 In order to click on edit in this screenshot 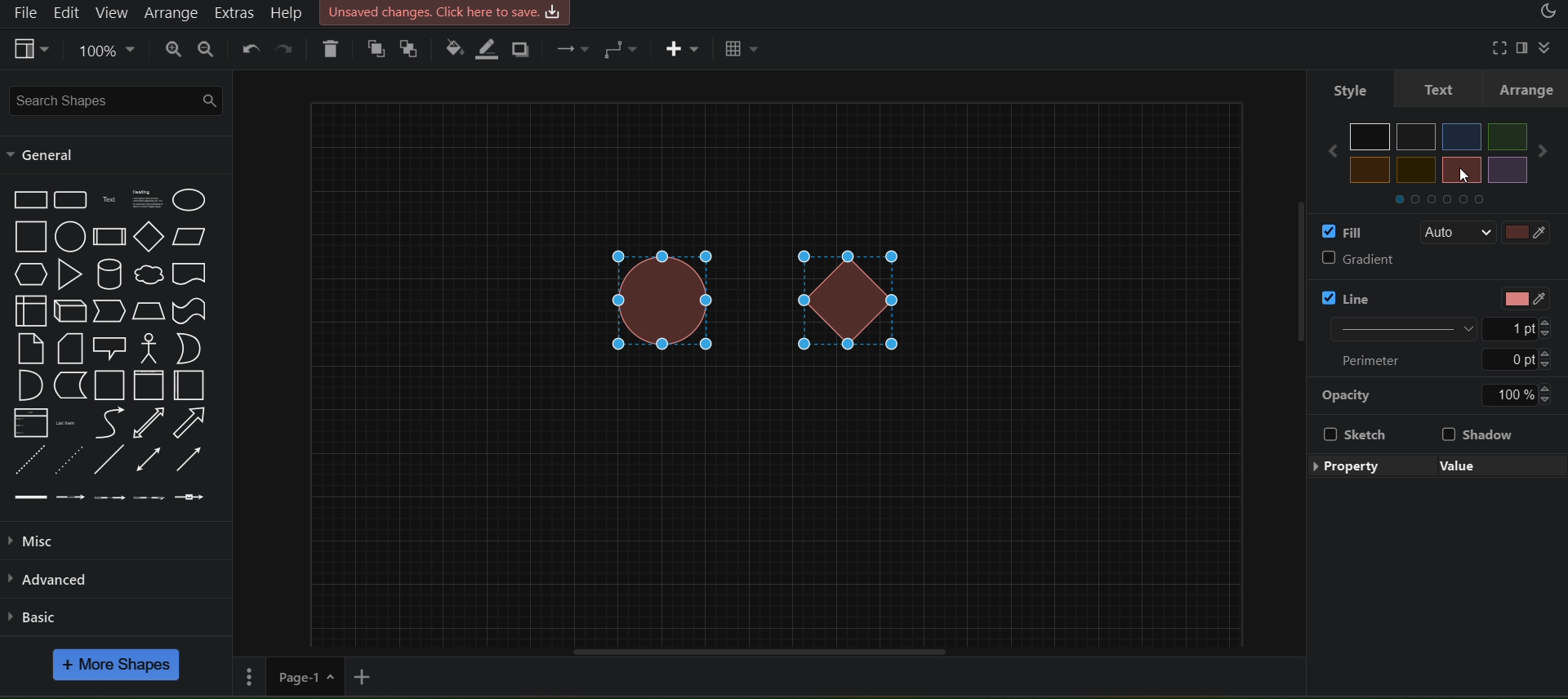, I will do `click(1432, 471)`.